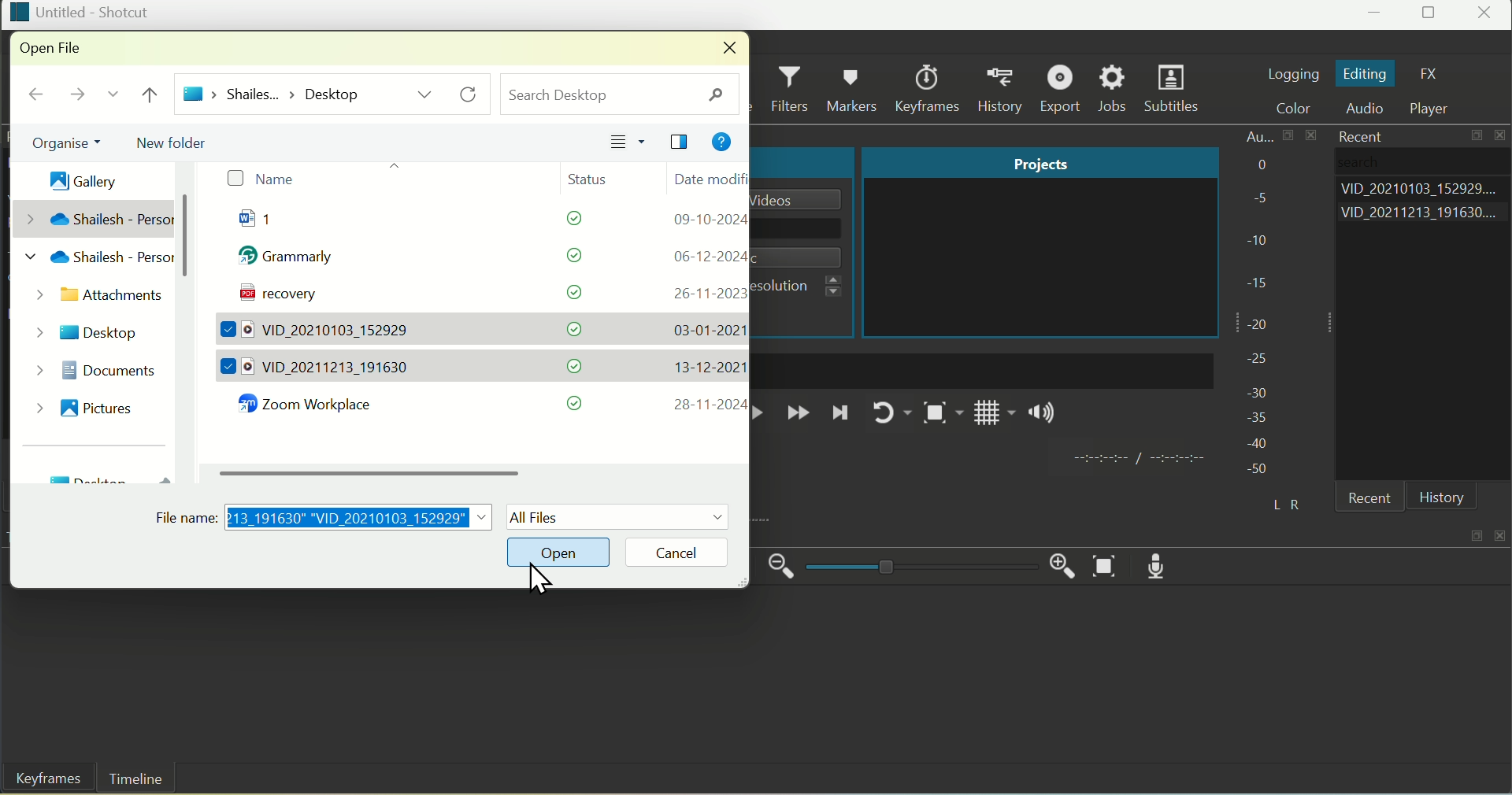  What do you see at coordinates (74, 97) in the screenshot?
I see `next` at bounding box center [74, 97].